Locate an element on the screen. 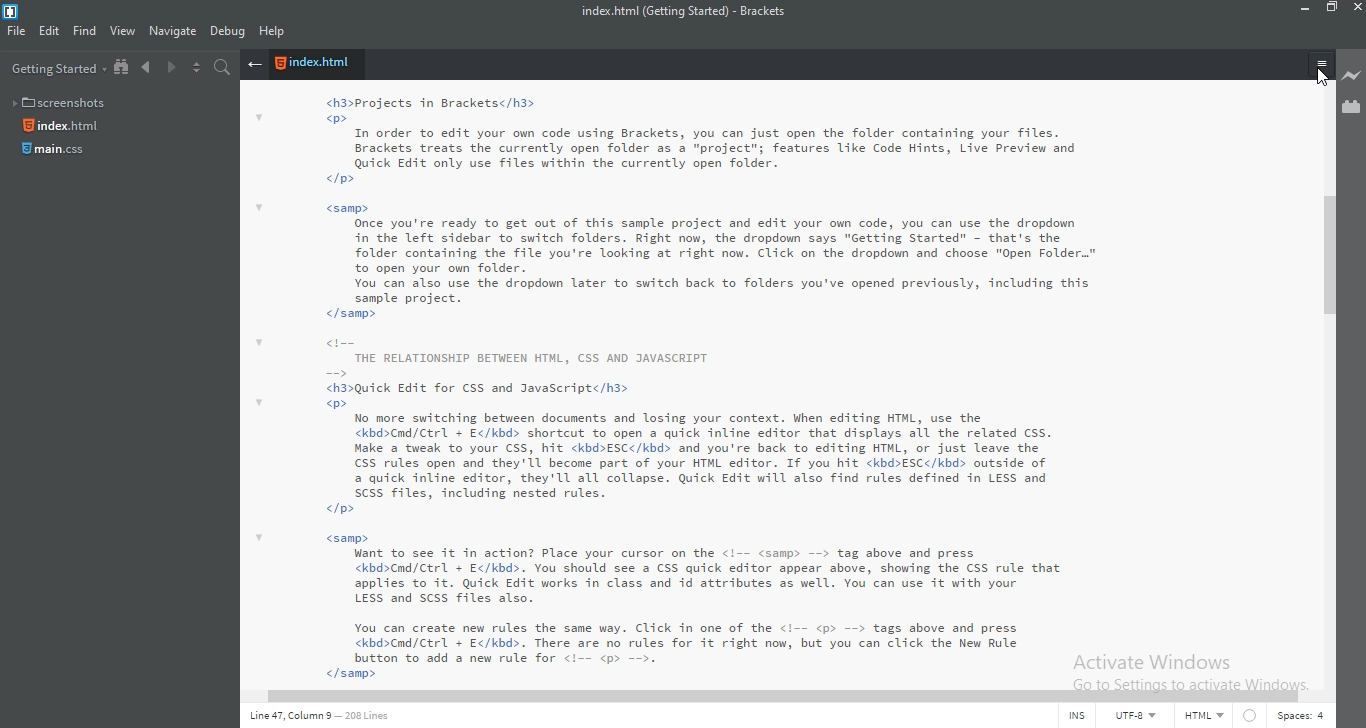  Screenshots is located at coordinates (63, 100).